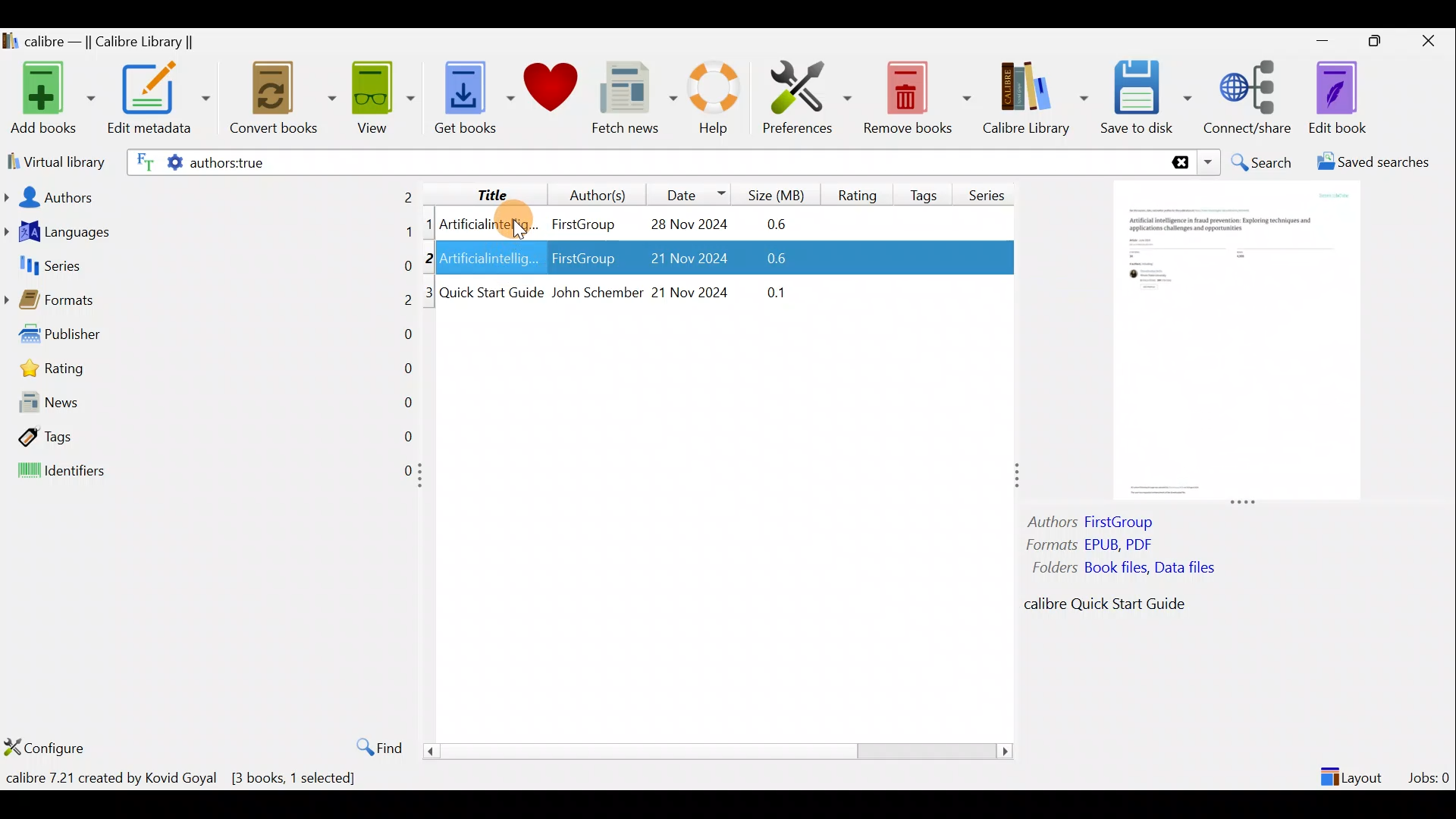 This screenshot has height=819, width=1456. What do you see at coordinates (209, 234) in the screenshot?
I see `Languages` at bounding box center [209, 234].